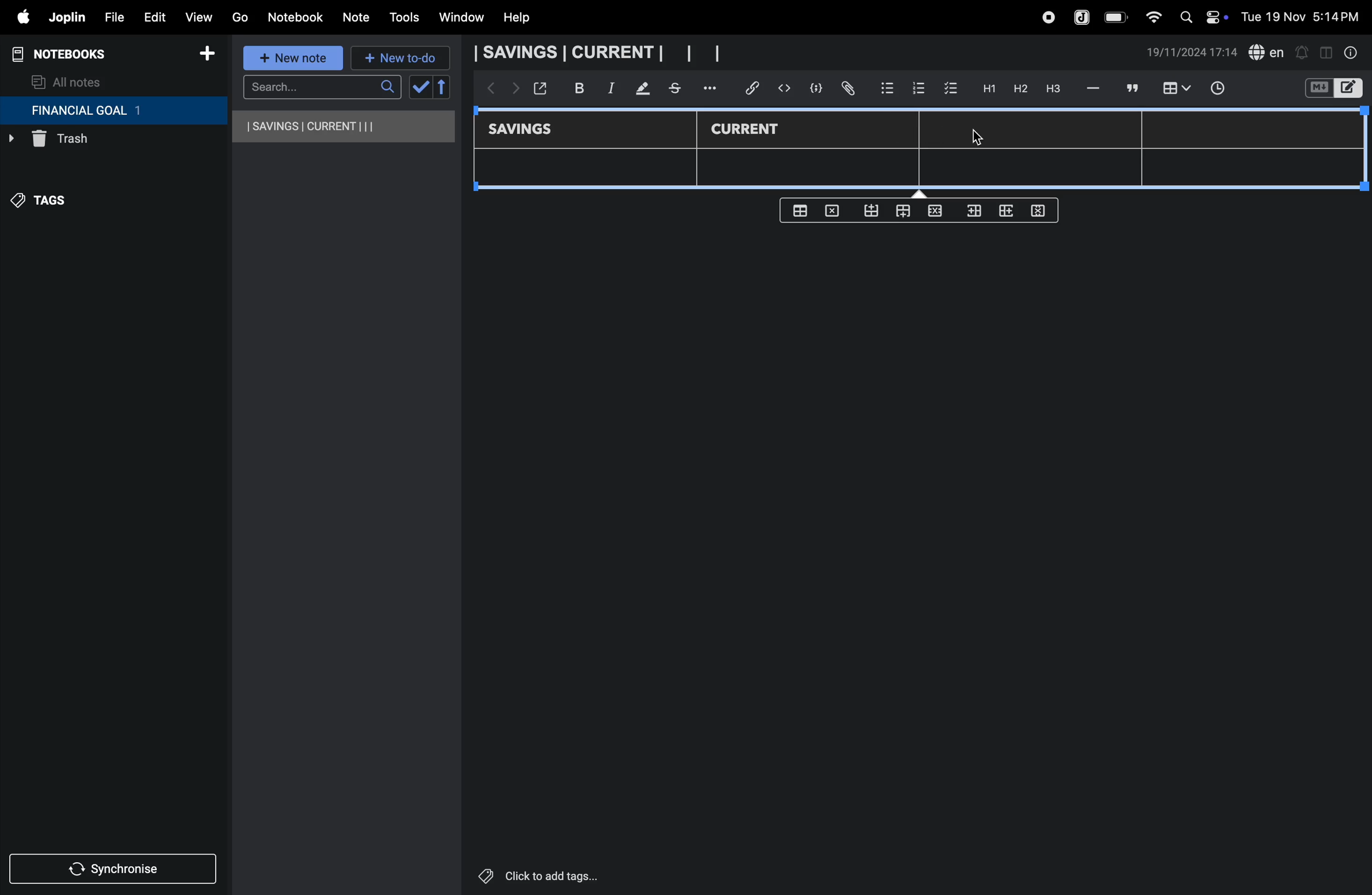  I want to click on savings and current, so click(345, 126).